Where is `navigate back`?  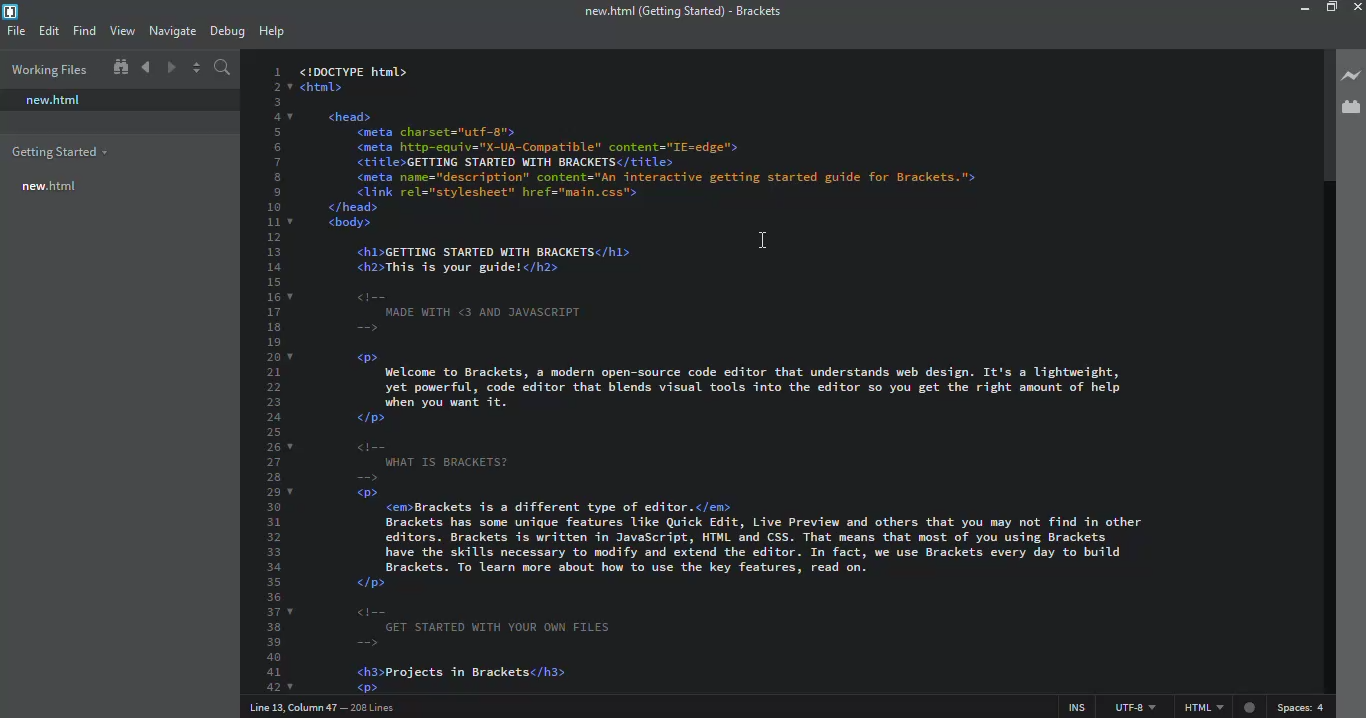 navigate back is located at coordinates (147, 68).